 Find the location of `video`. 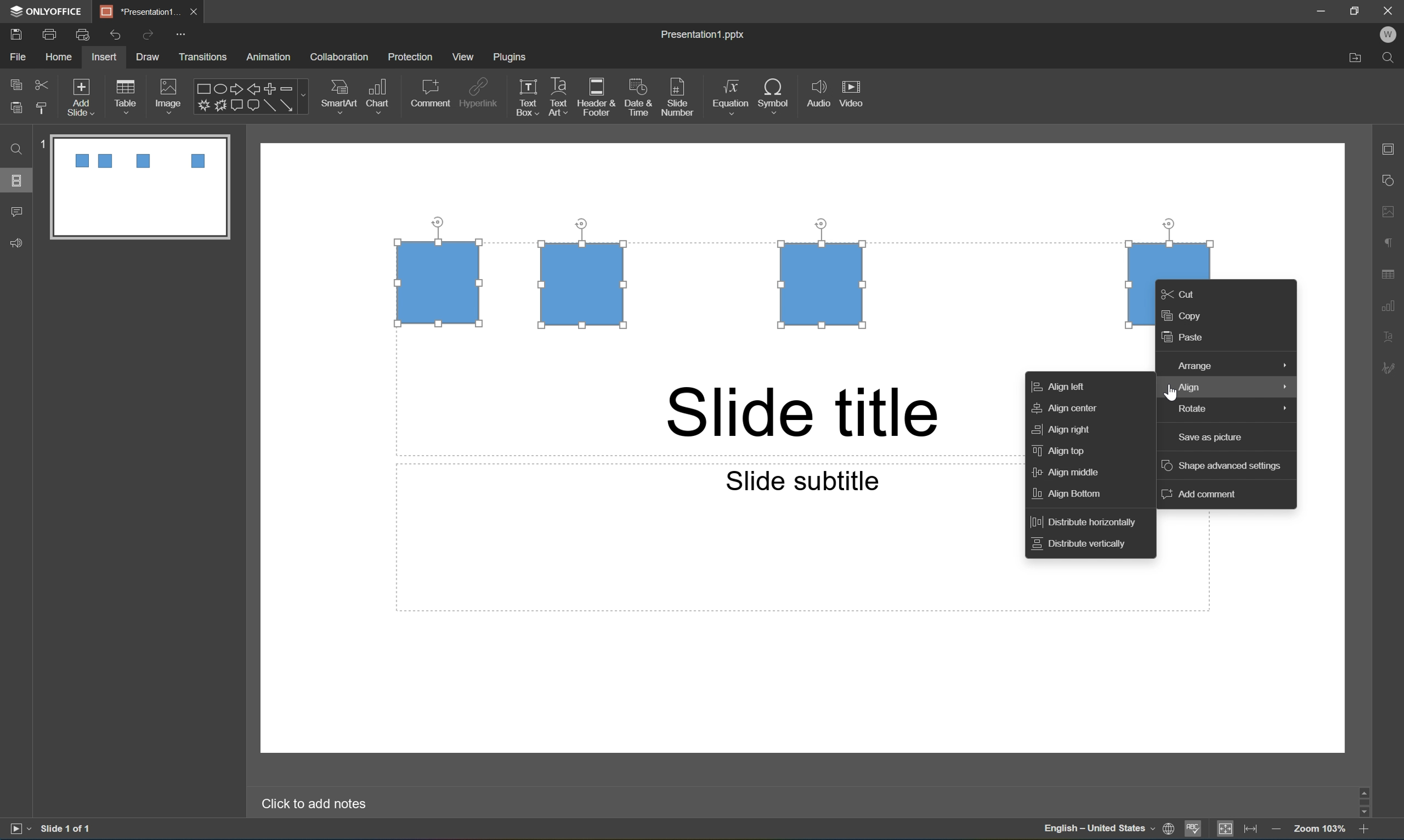

video is located at coordinates (855, 93).